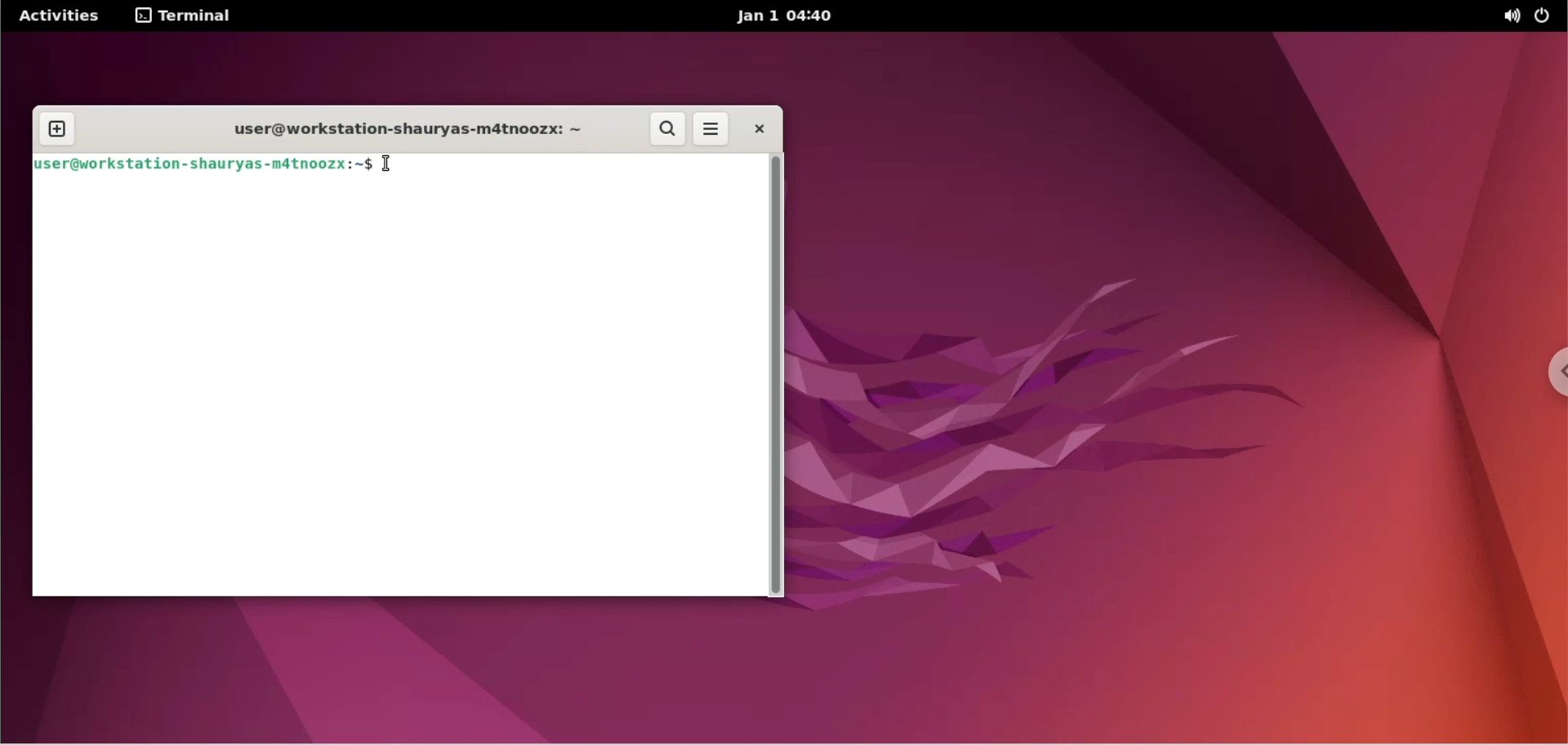  I want to click on cursor, so click(388, 164).